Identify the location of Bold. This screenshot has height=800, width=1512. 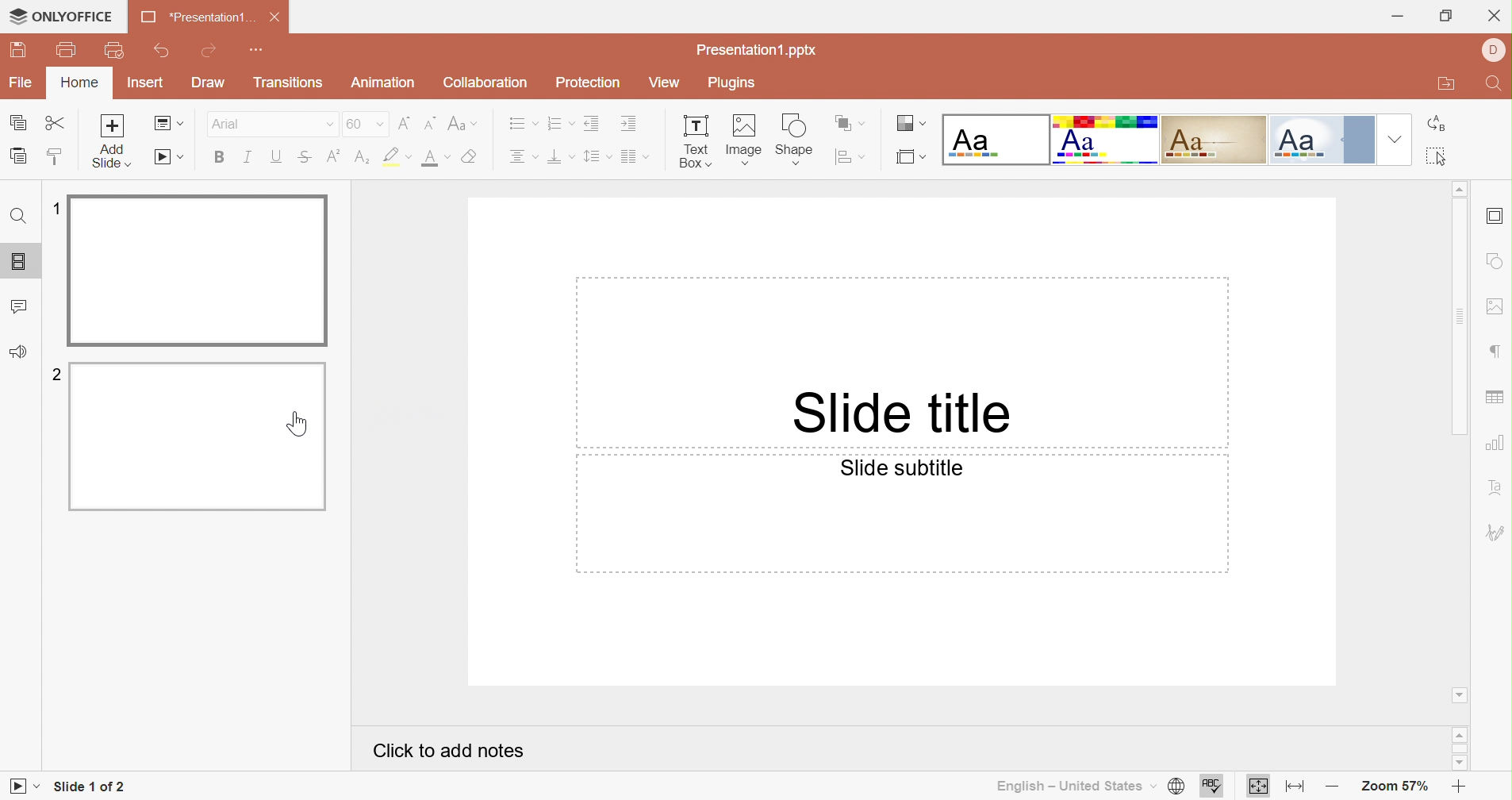
(223, 157).